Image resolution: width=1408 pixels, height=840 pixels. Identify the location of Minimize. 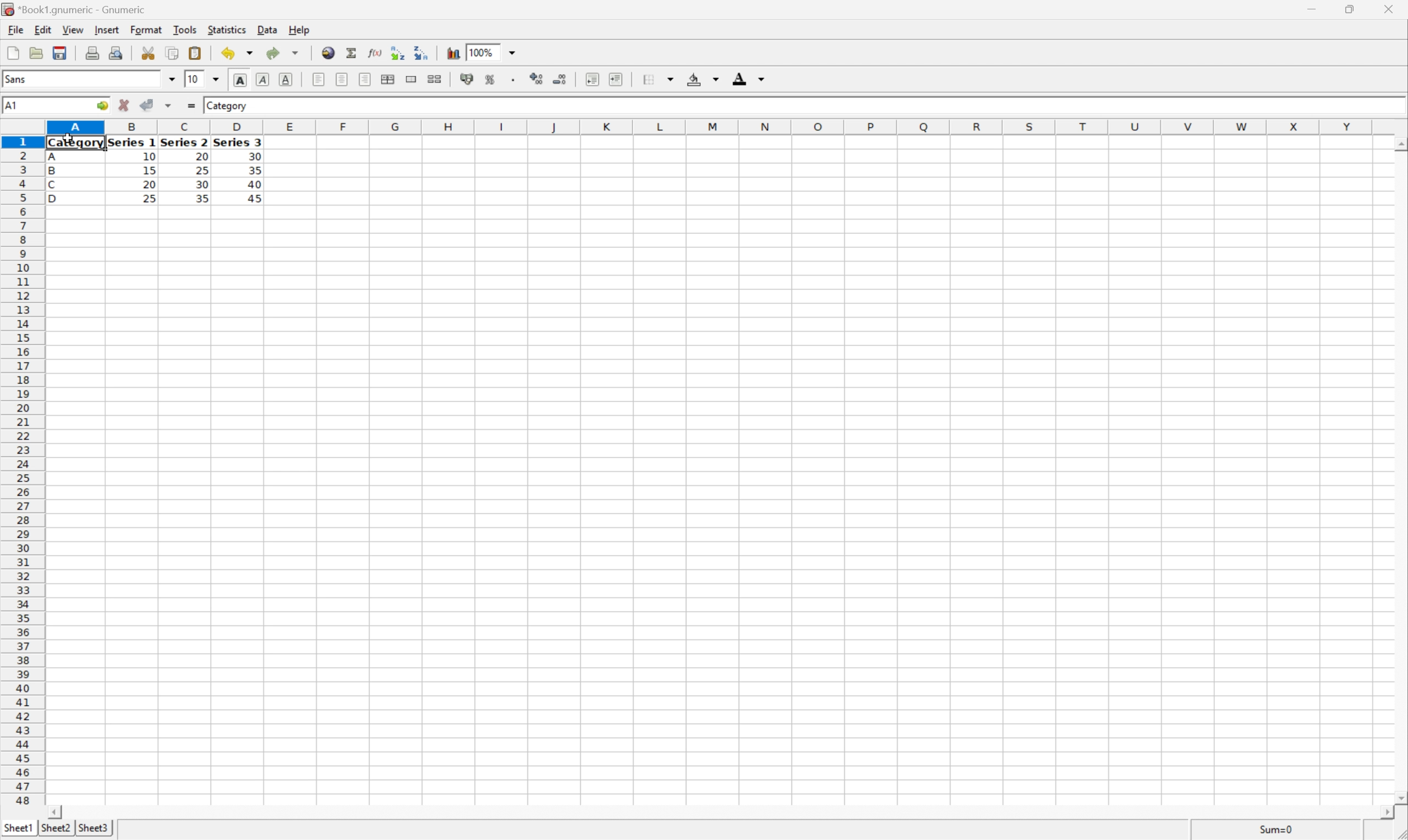
(1308, 10).